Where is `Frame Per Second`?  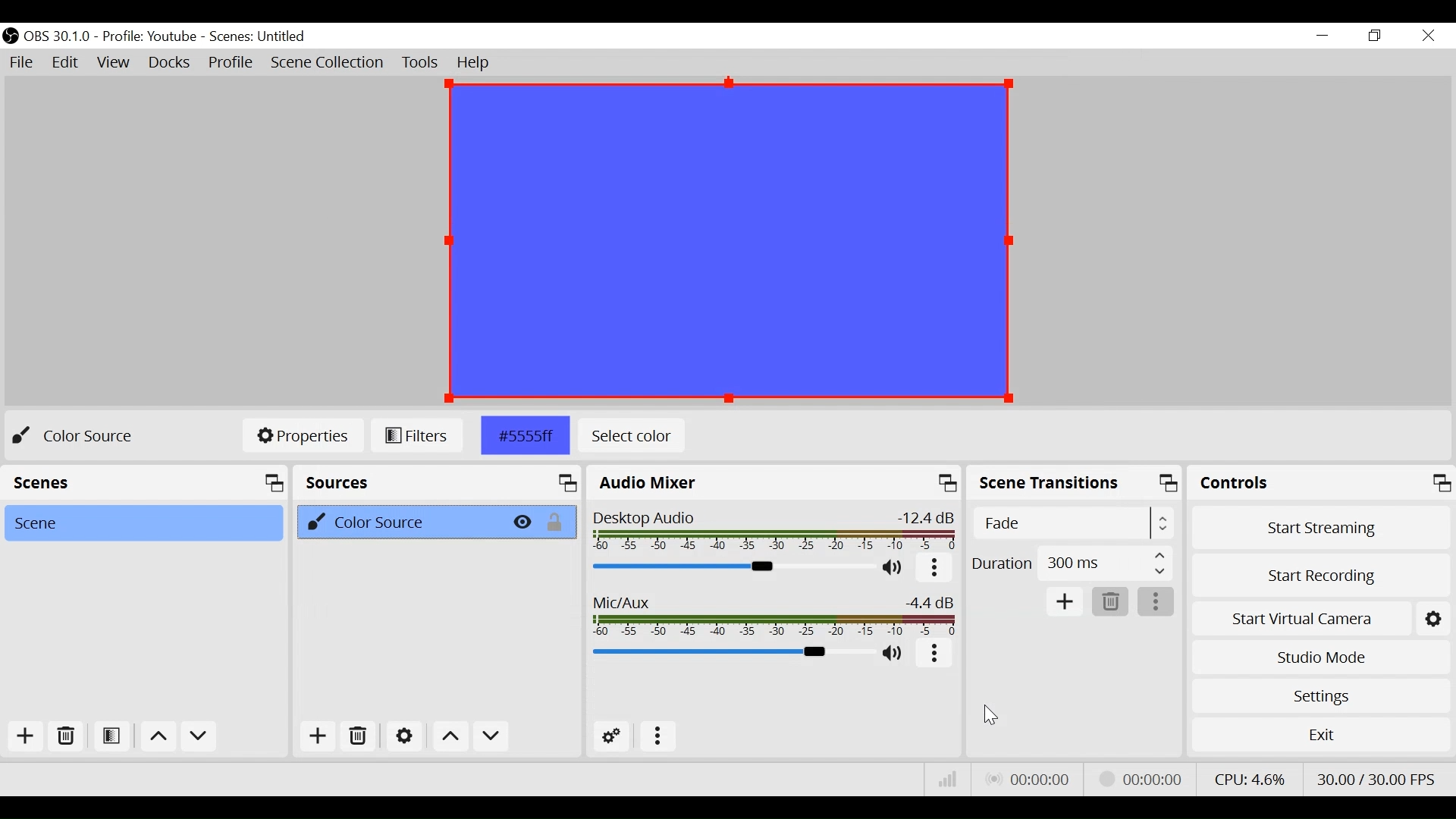
Frame Per Second is located at coordinates (1376, 777).